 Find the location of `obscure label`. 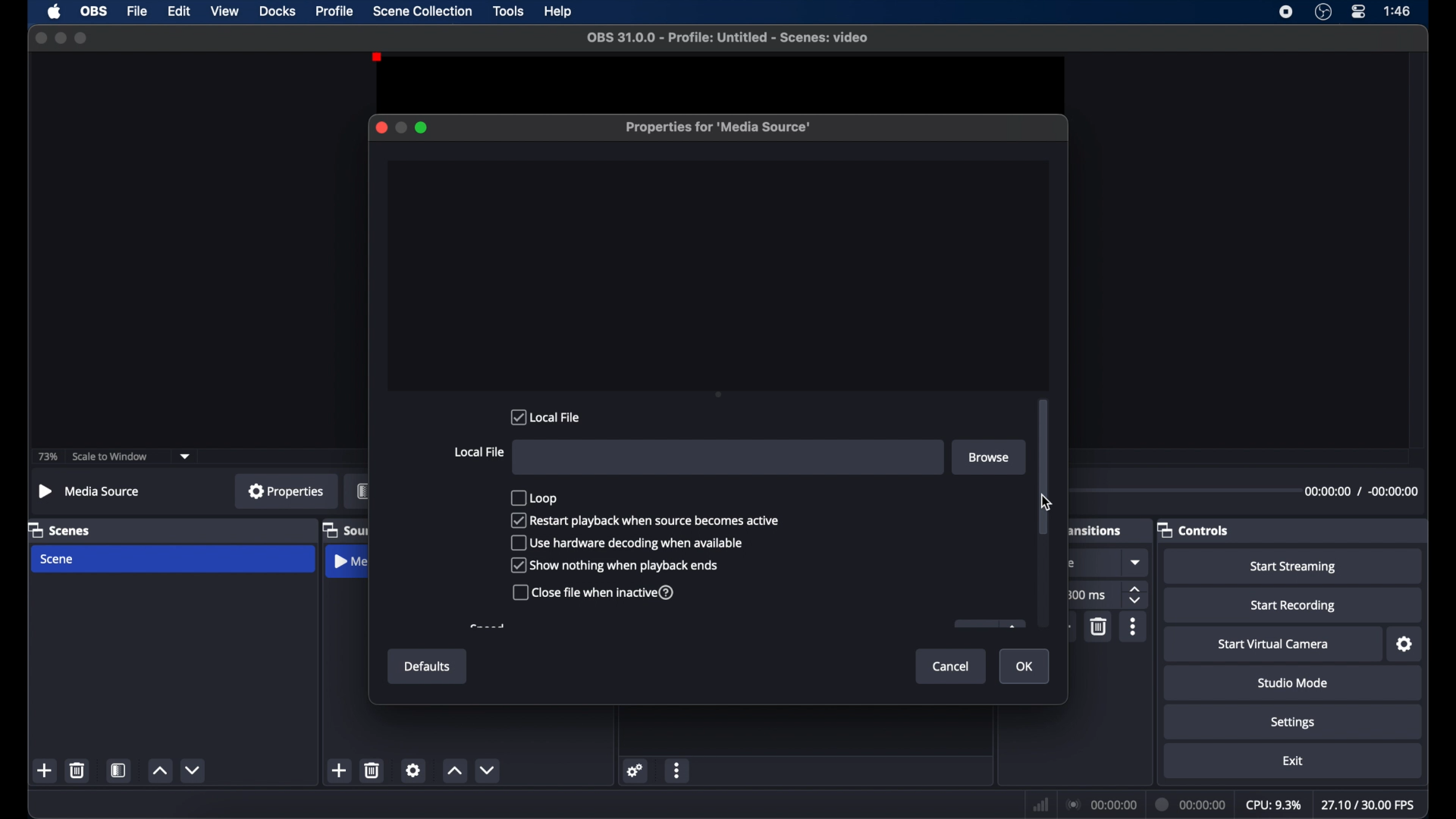

obscure label is located at coordinates (343, 530).